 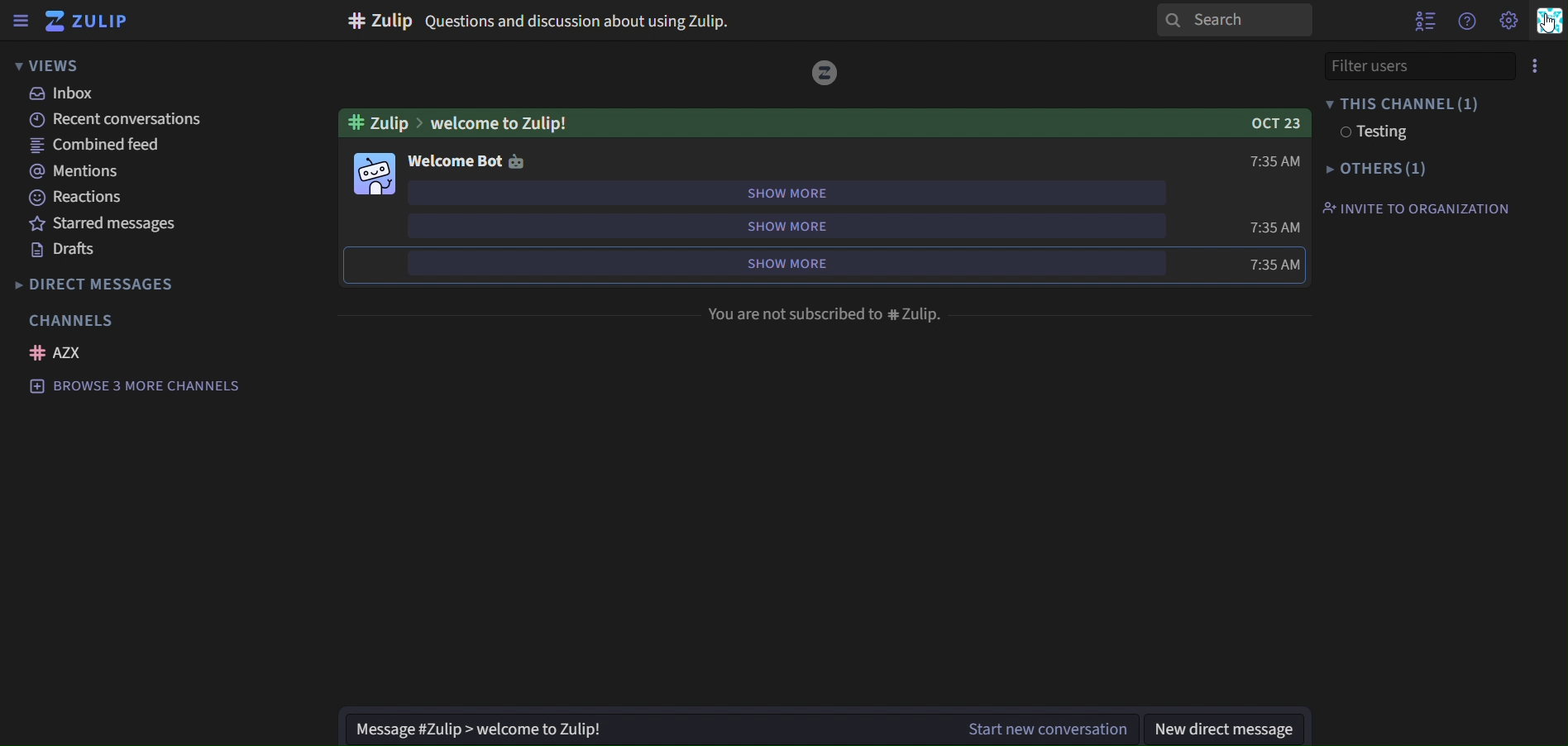 What do you see at coordinates (1275, 160) in the screenshot?
I see `7:35AM` at bounding box center [1275, 160].